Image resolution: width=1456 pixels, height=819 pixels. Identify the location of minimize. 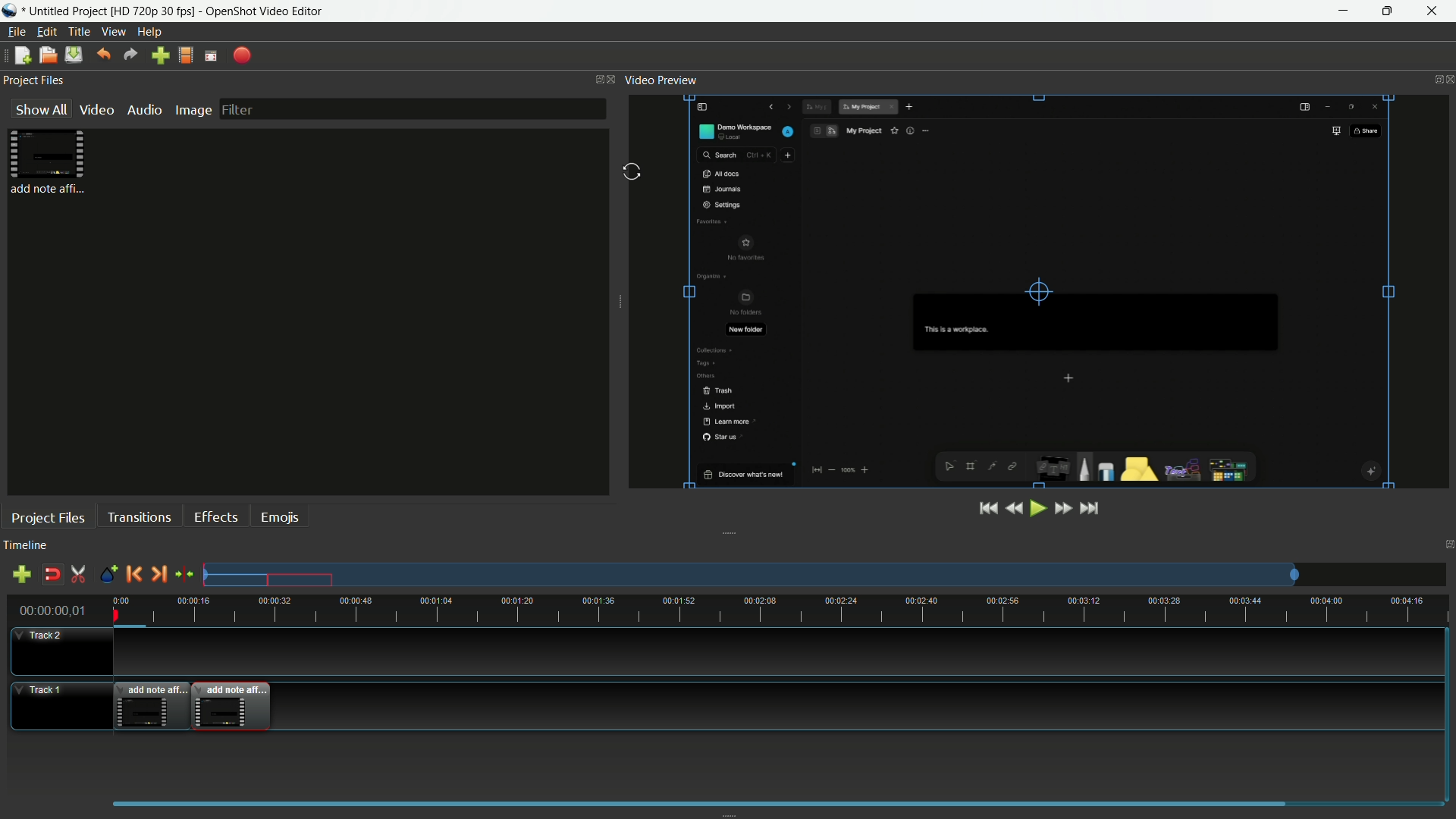
(1342, 11).